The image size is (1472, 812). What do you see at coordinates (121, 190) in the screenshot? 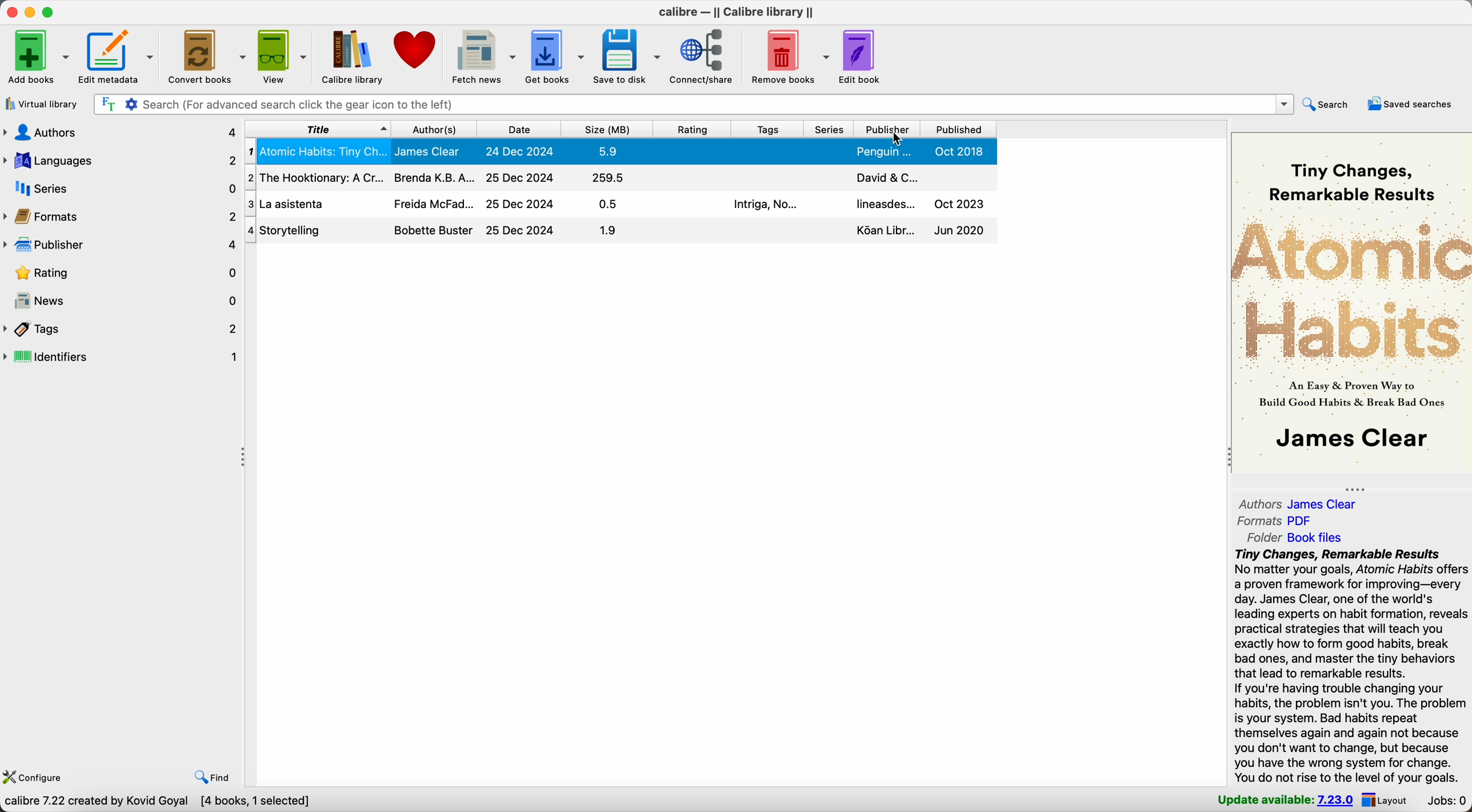
I see `series` at bounding box center [121, 190].